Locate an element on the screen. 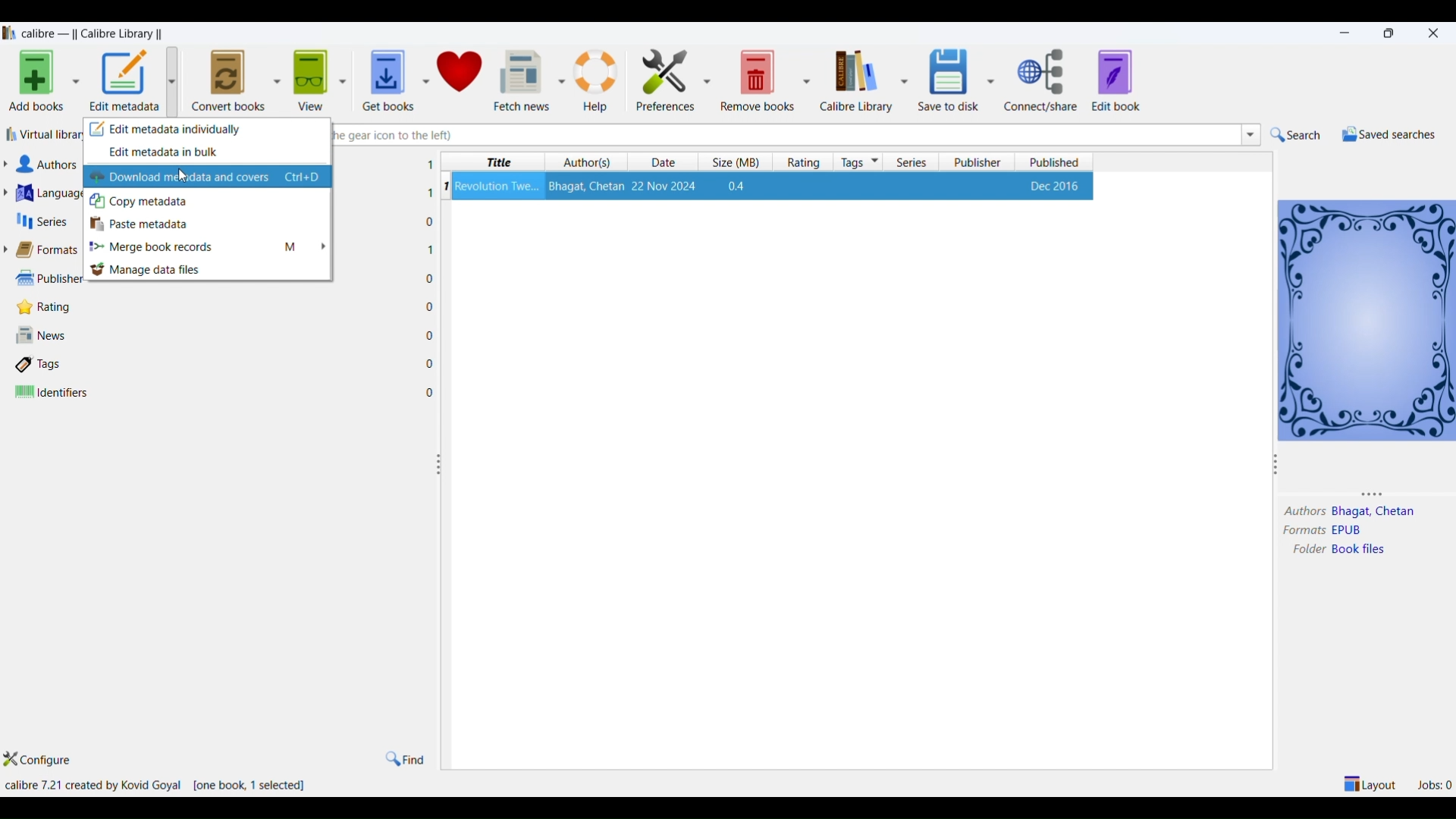 Image resolution: width=1456 pixels, height=819 pixels. total books and selected books is located at coordinates (257, 786).